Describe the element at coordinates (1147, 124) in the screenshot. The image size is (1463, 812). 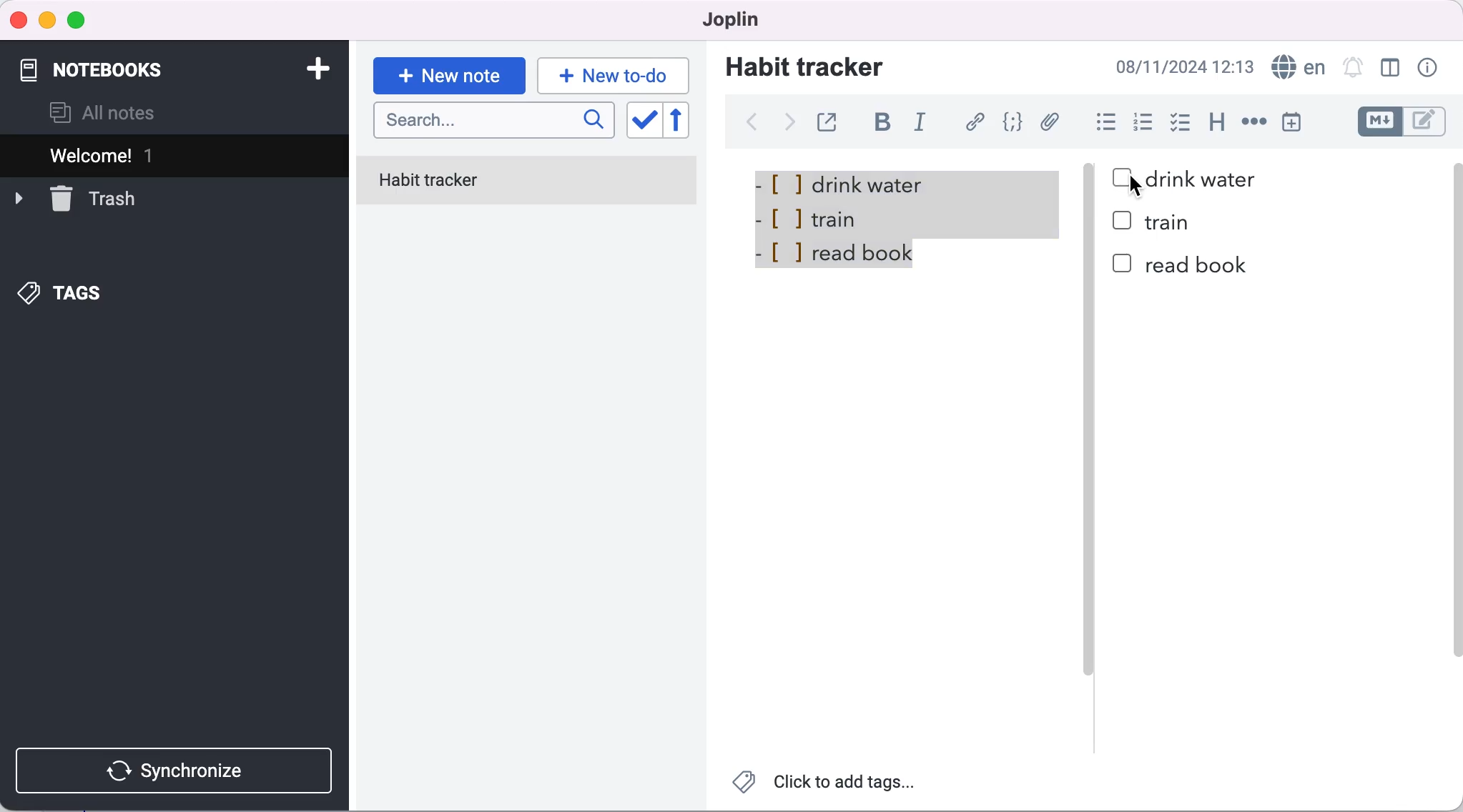
I see `numbered list` at that location.